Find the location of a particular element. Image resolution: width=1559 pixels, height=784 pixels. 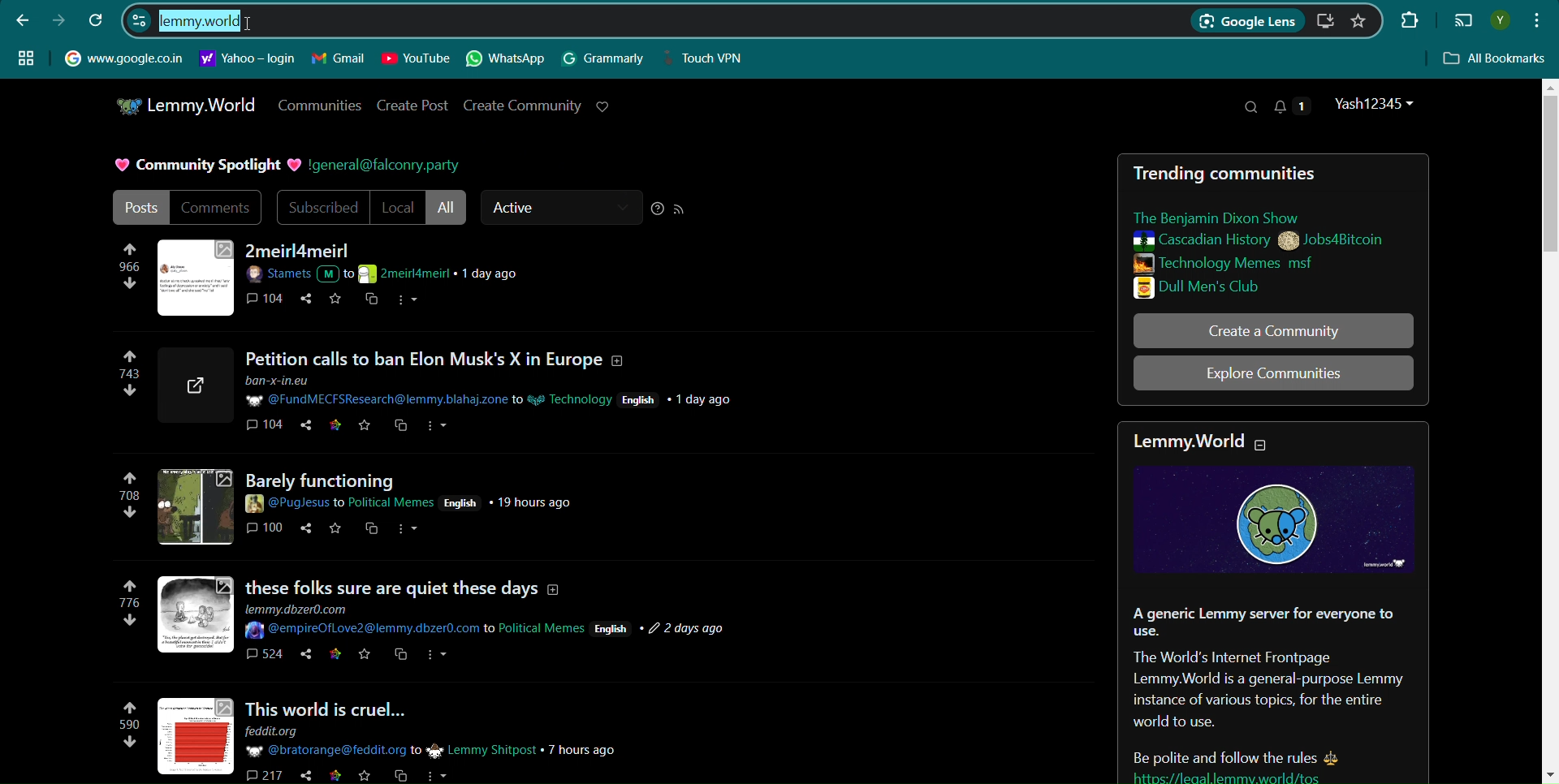

DempireOfLove2@lemmy.dbzer0.com to Political Memes English + 2 2 days ago is located at coordinates (490, 630).